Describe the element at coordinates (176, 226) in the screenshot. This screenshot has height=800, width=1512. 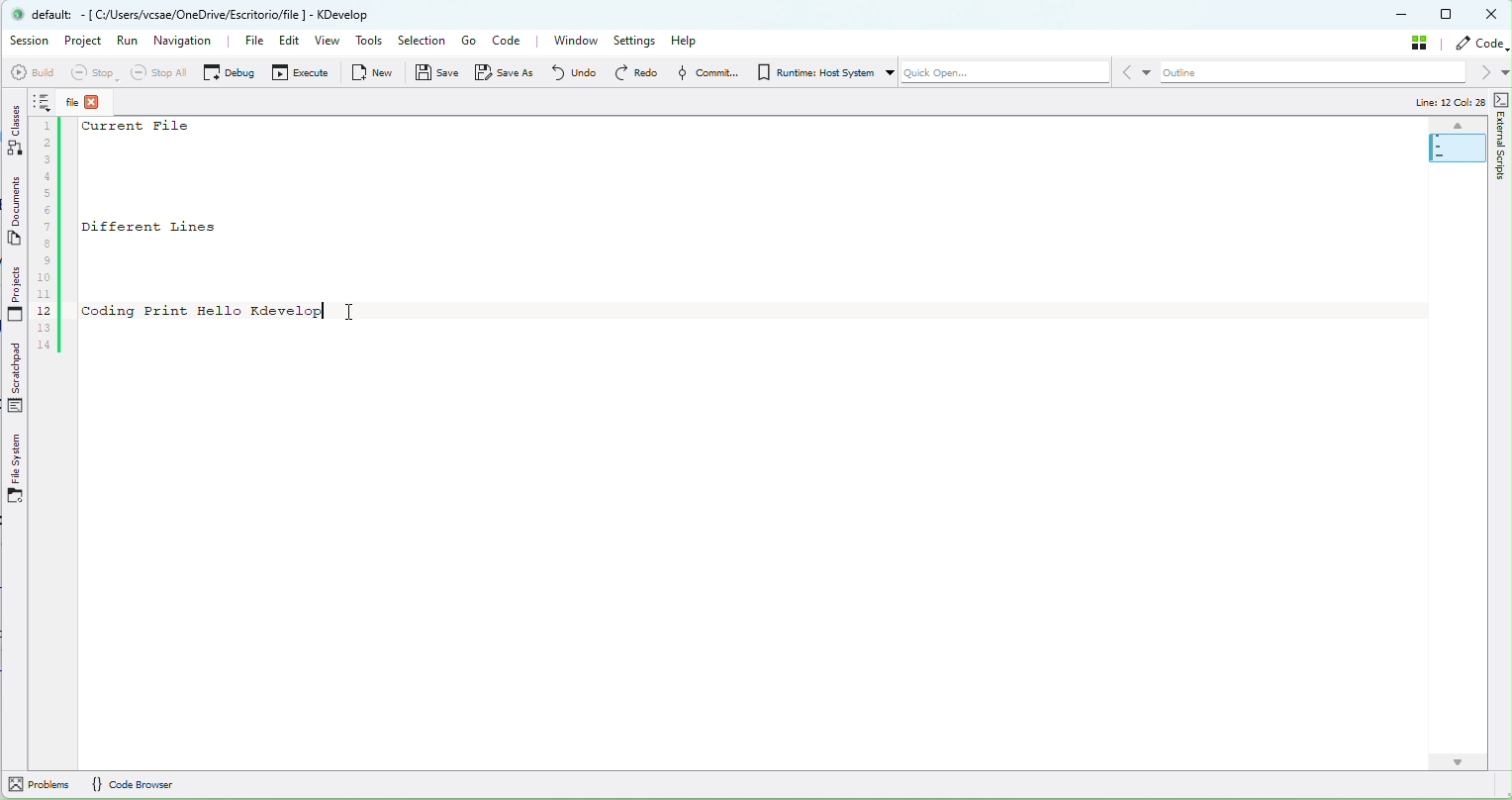
I see `Different Lines` at that location.